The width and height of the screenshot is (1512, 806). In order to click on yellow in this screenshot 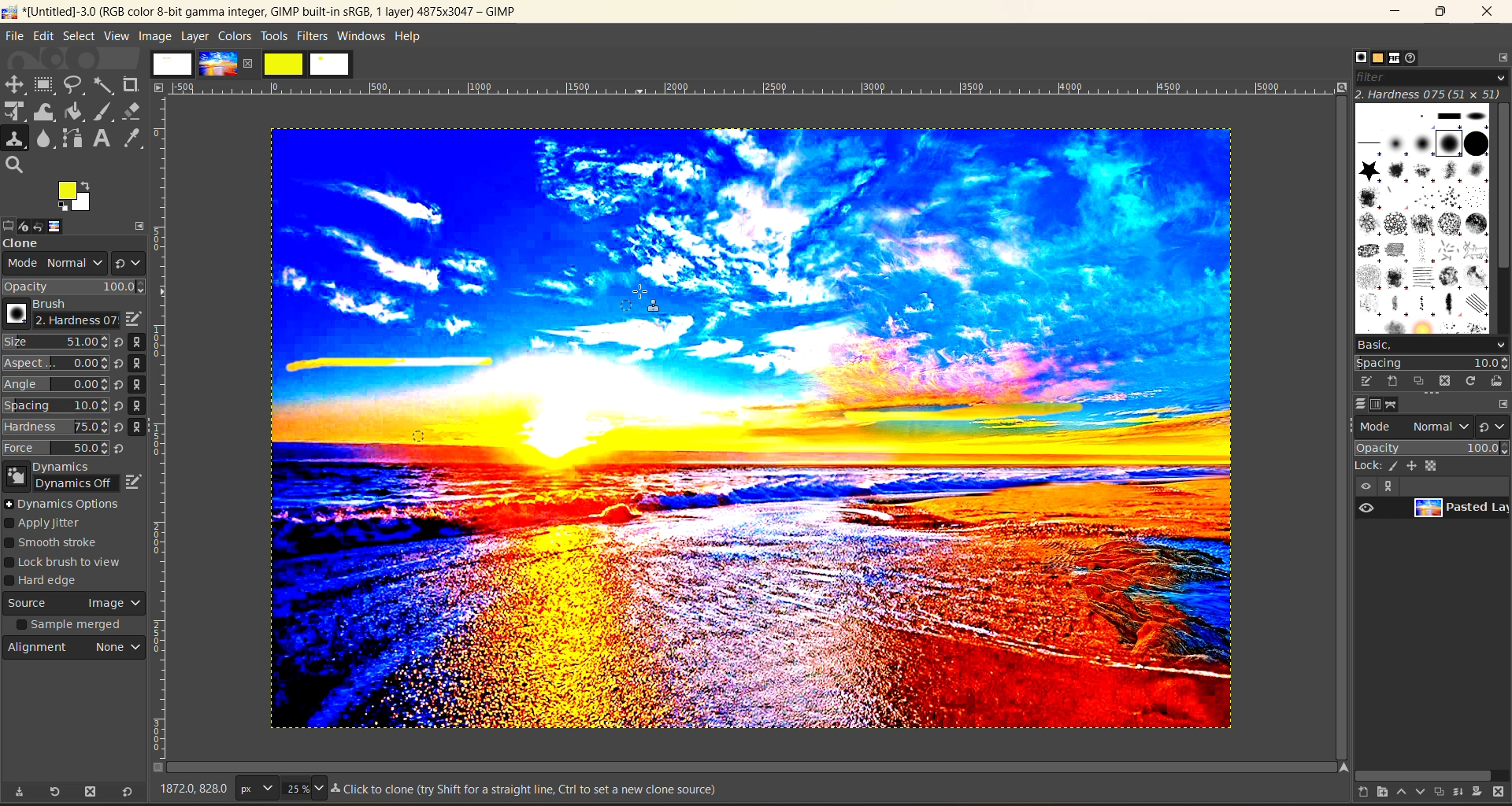, I will do `click(284, 64)`.